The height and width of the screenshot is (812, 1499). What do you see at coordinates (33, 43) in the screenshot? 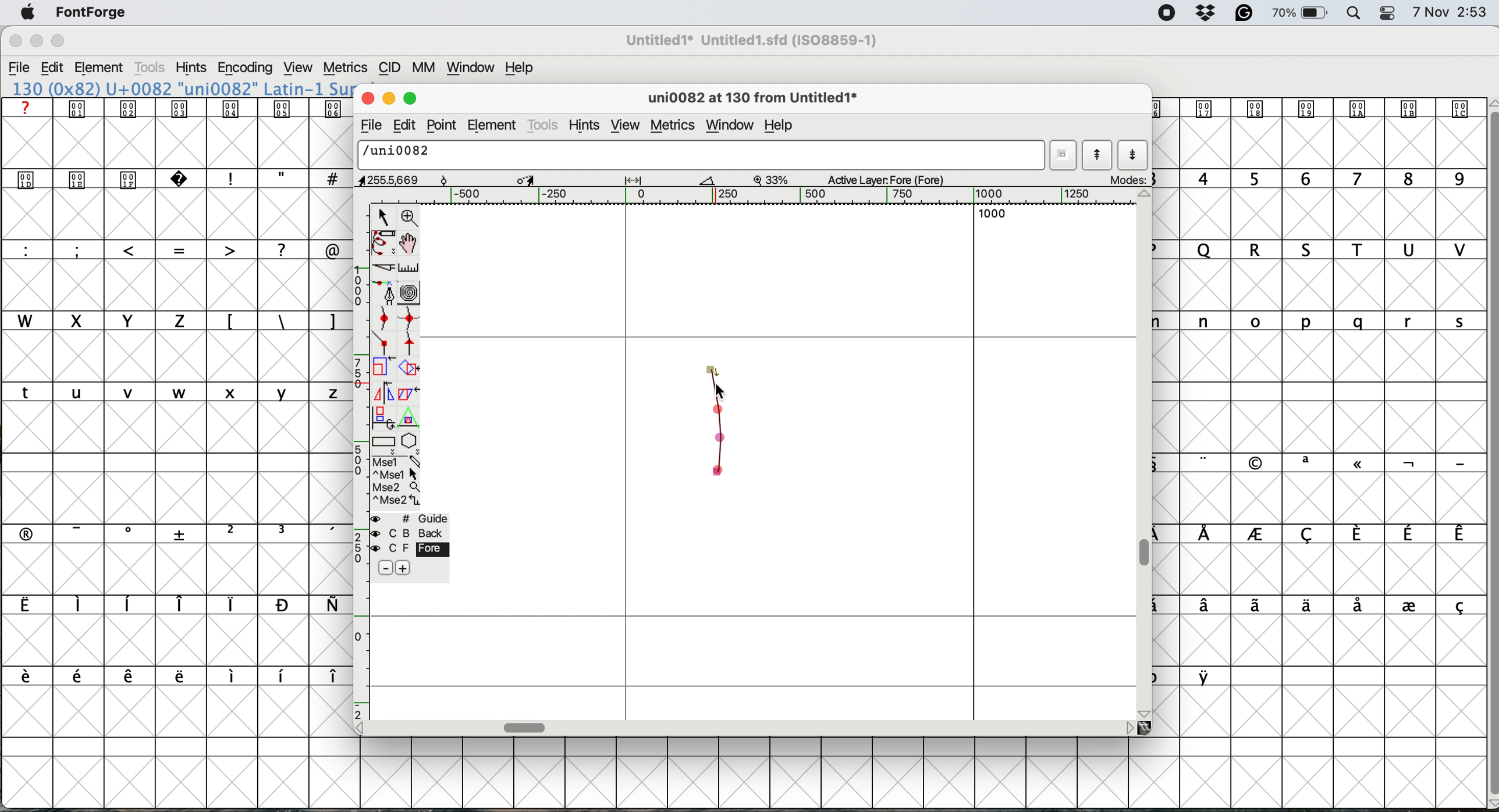
I see `minimise` at bounding box center [33, 43].